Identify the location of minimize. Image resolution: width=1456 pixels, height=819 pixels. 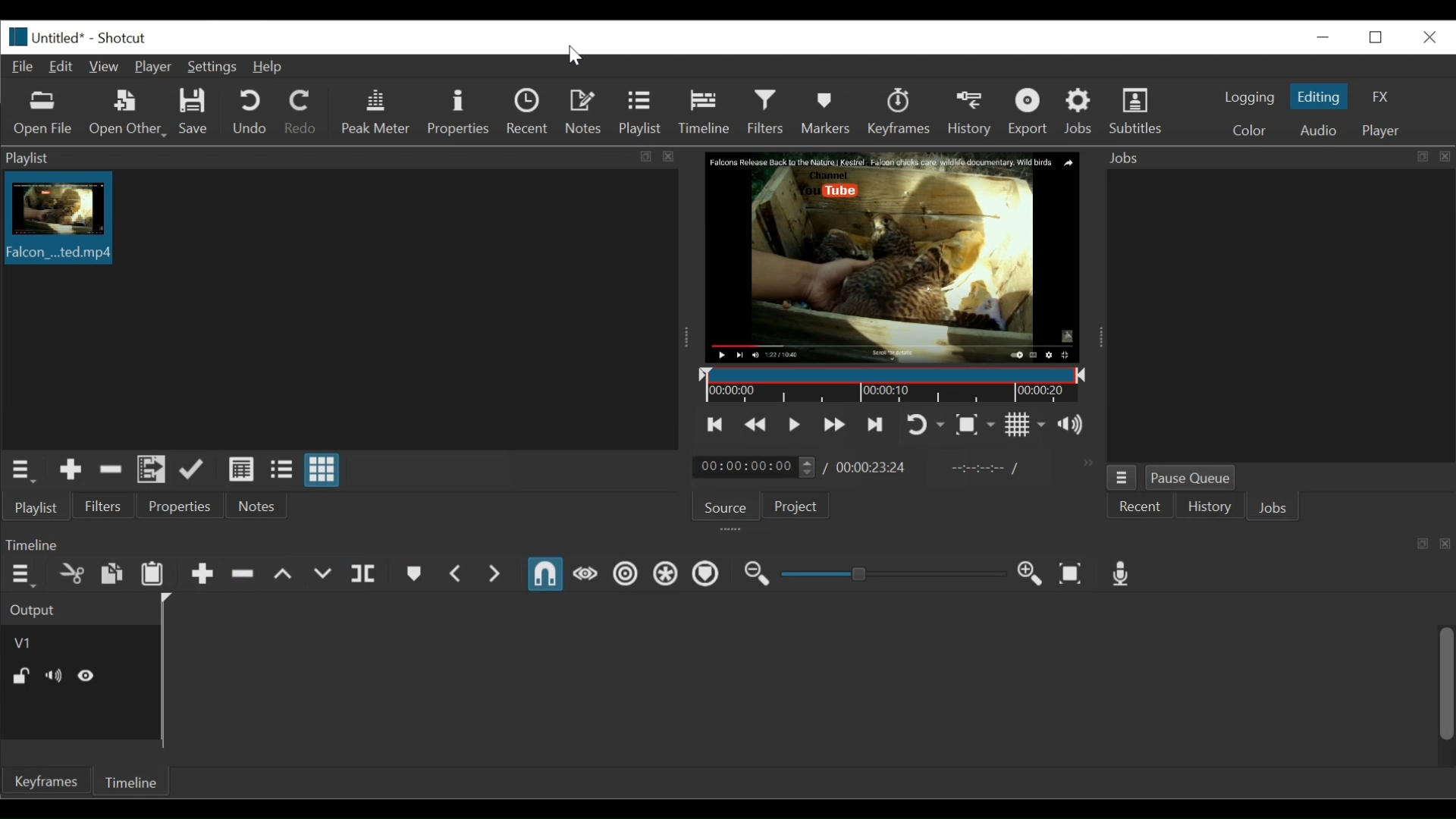
(1319, 37).